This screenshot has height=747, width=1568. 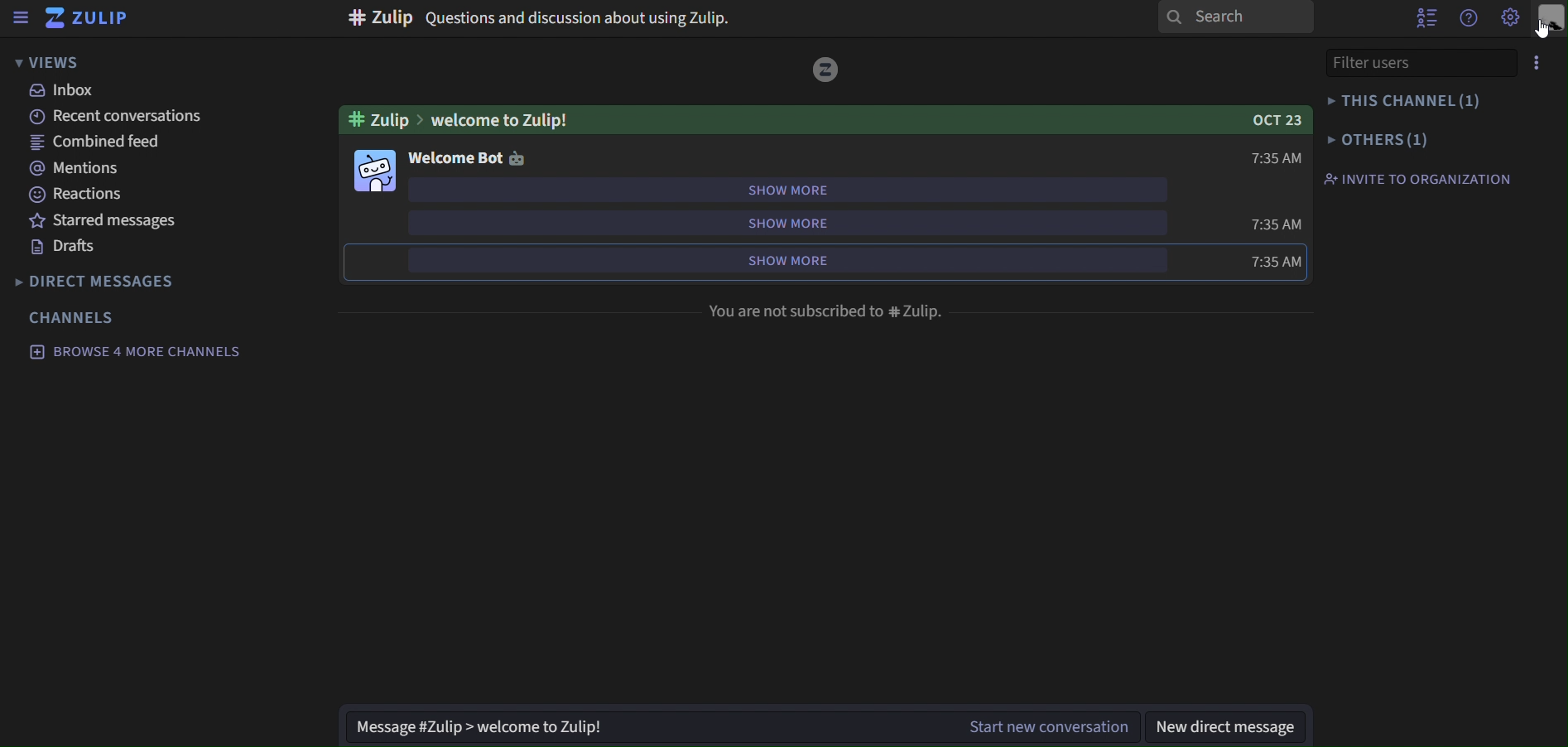 What do you see at coordinates (1267, 263) in the screenshot?
I see `7:35 AM` at bounding box center [1267, 263].